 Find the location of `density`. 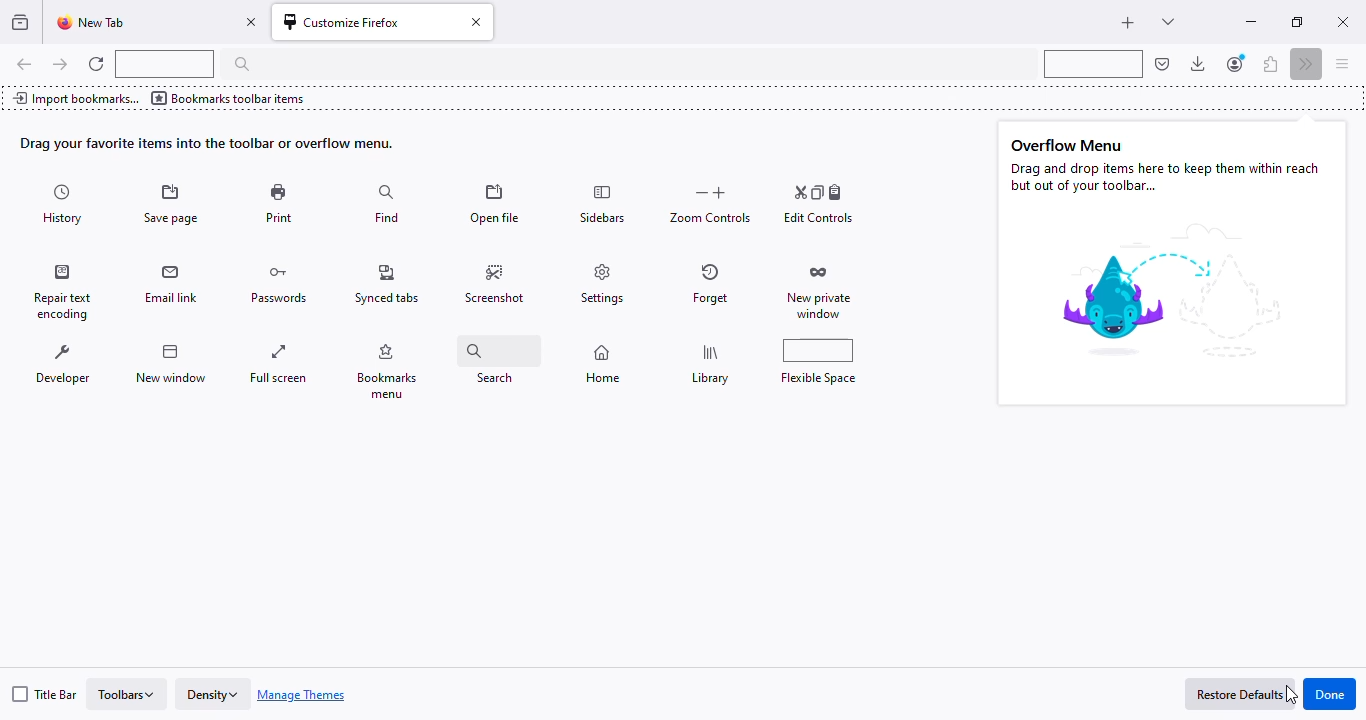

density is located at coordinates (211, 694).